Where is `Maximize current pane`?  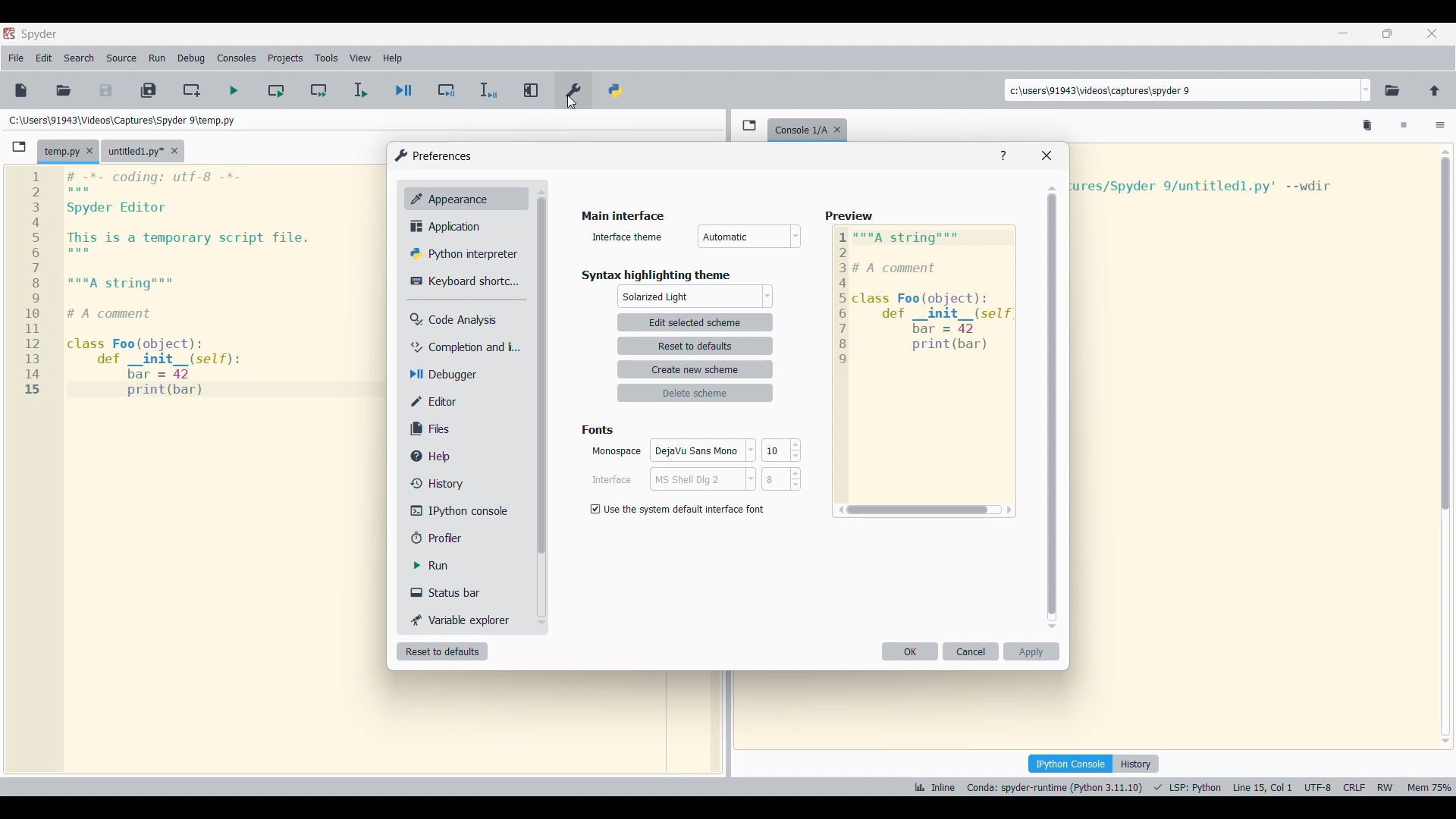 Maximize current pane is located at coordinates (531, 90).